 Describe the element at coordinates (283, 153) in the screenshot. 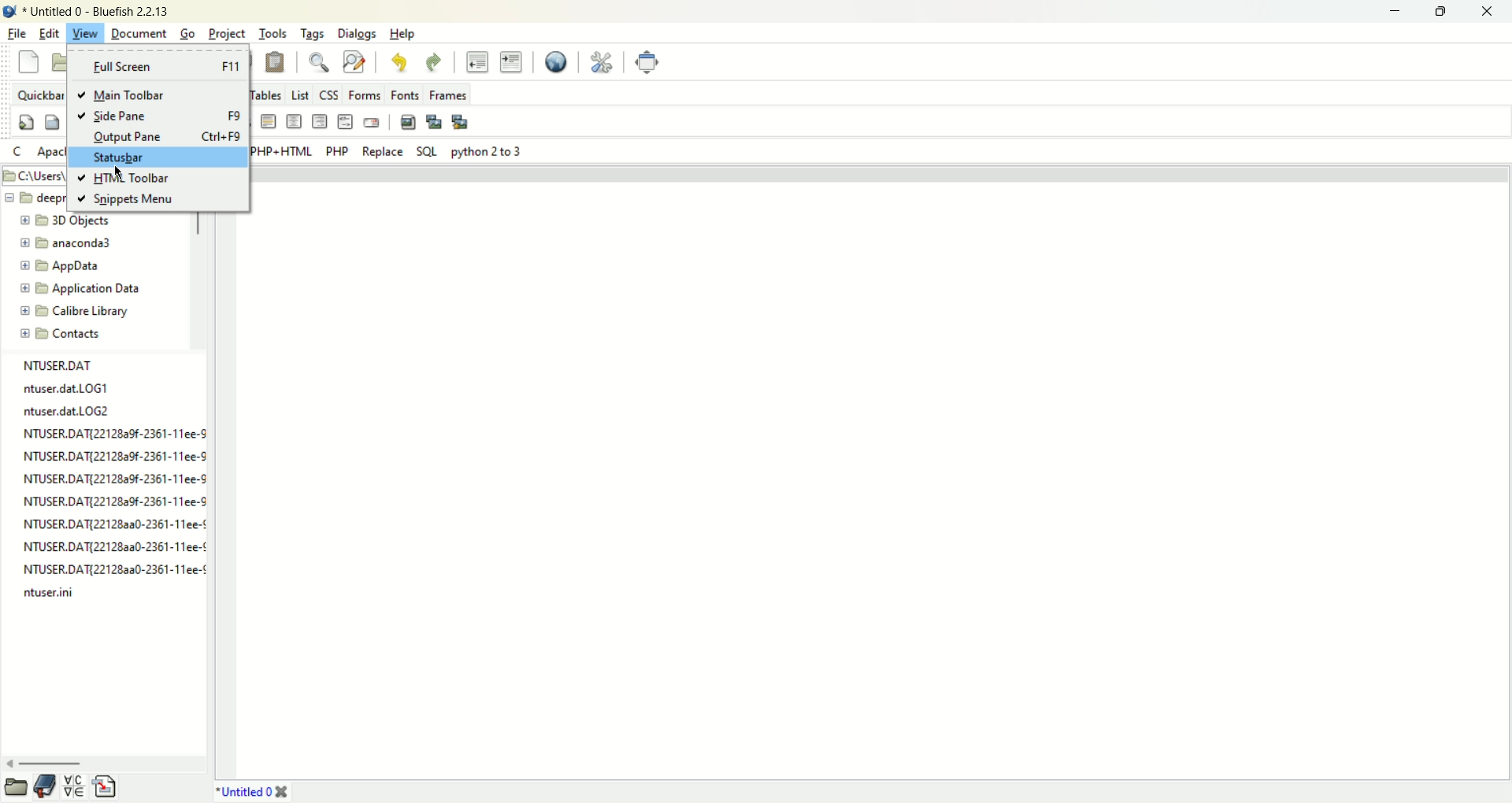

I see `PHP+HTML` at that location.